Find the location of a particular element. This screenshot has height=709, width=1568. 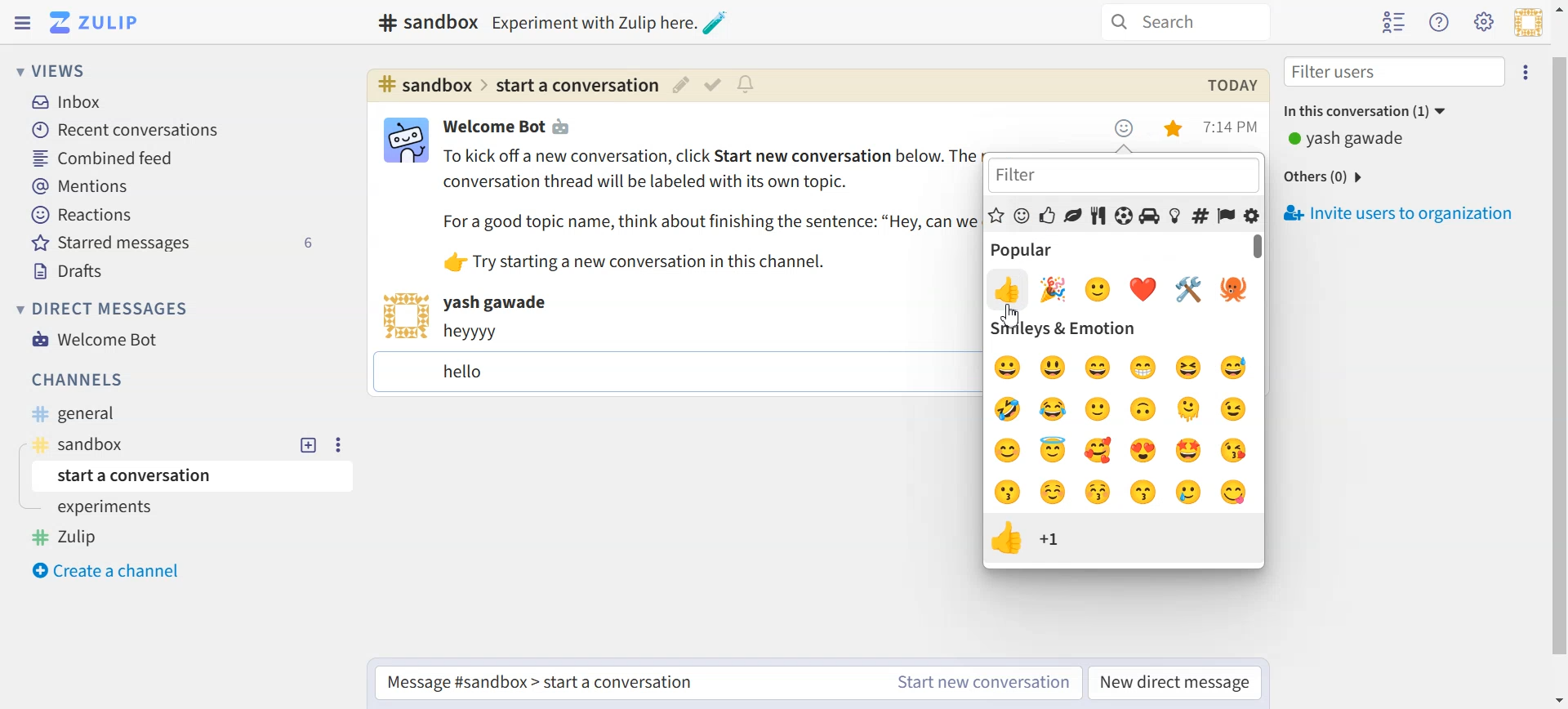

heart kiss is located at coordinates (1237, 453).